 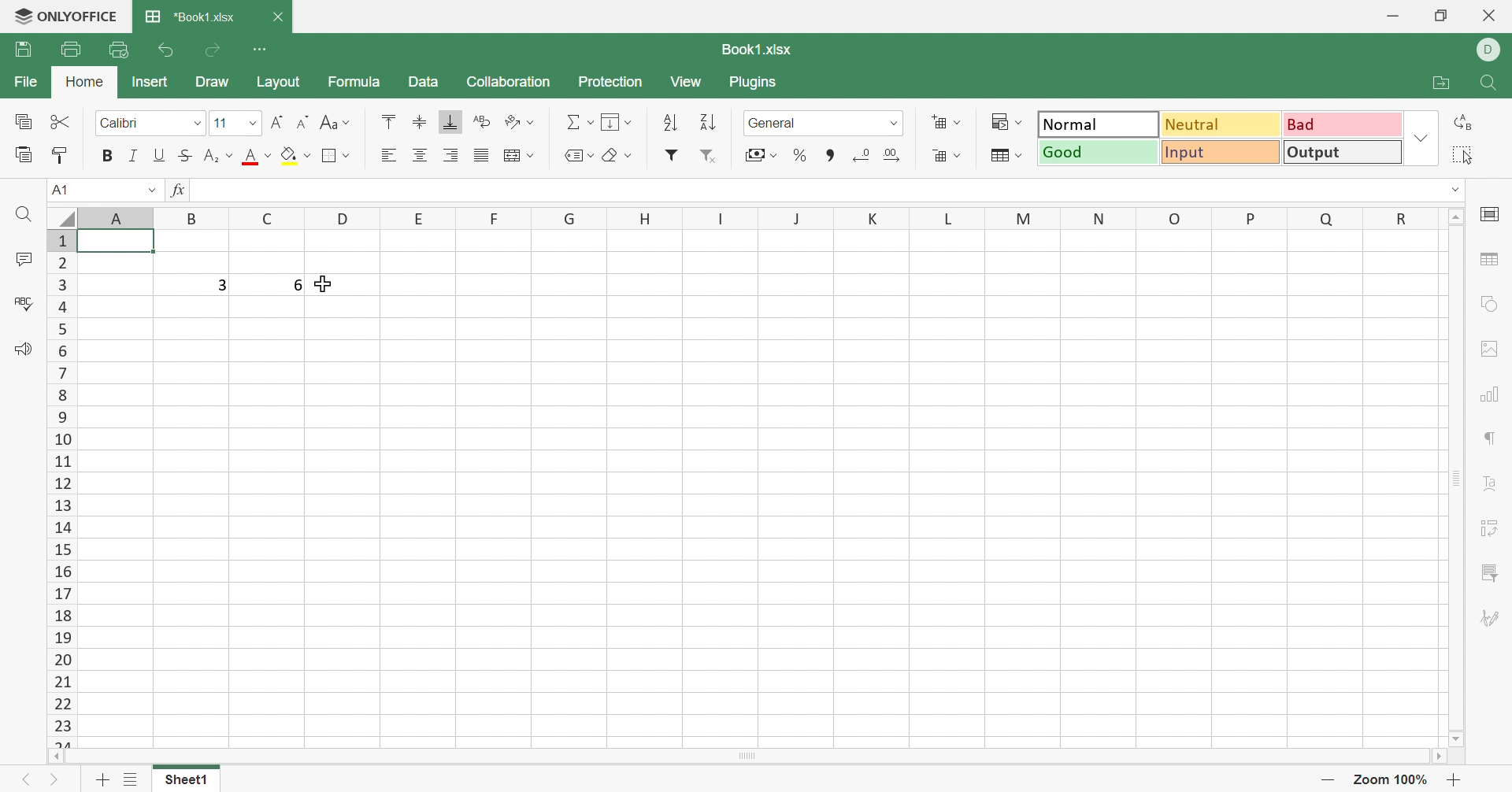 What do you see at coordinates (169, 51) in the screenshot?
I see `Undo` at bounding box center [169, 51].